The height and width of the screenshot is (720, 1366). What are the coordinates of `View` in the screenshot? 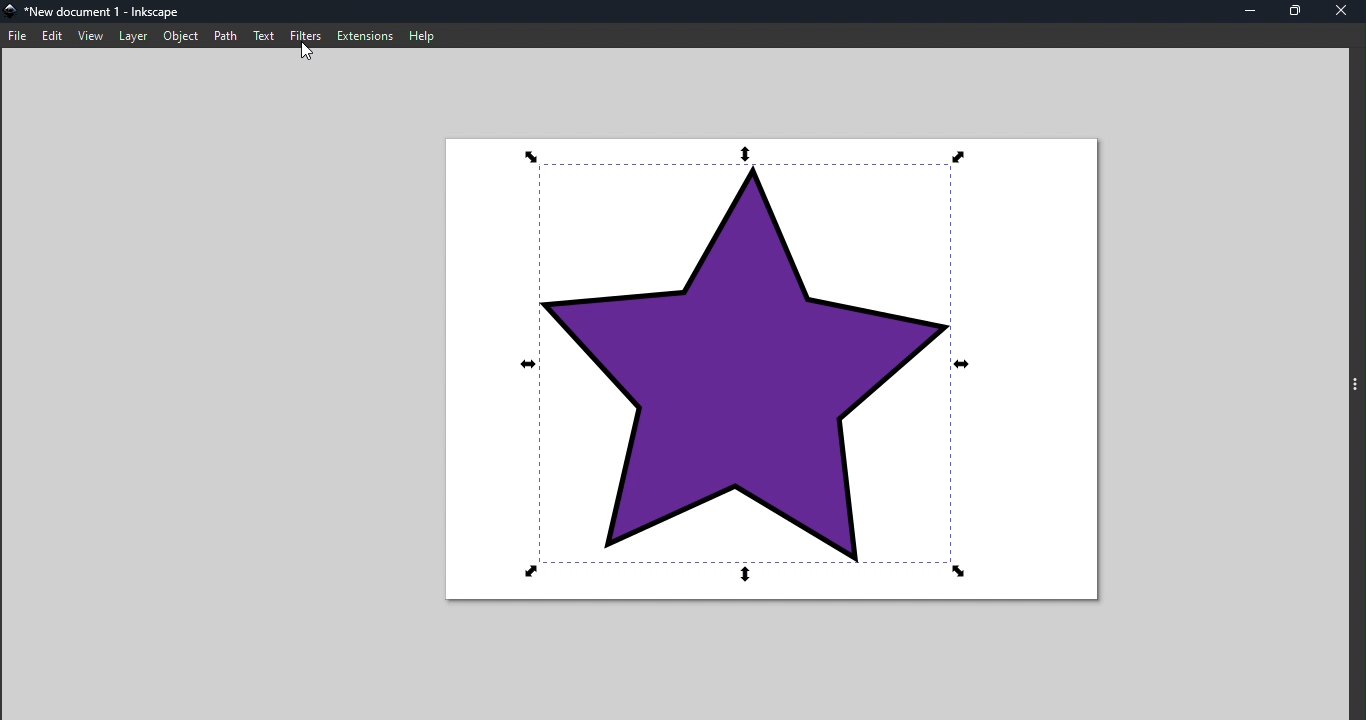 It's located at (90, 35).